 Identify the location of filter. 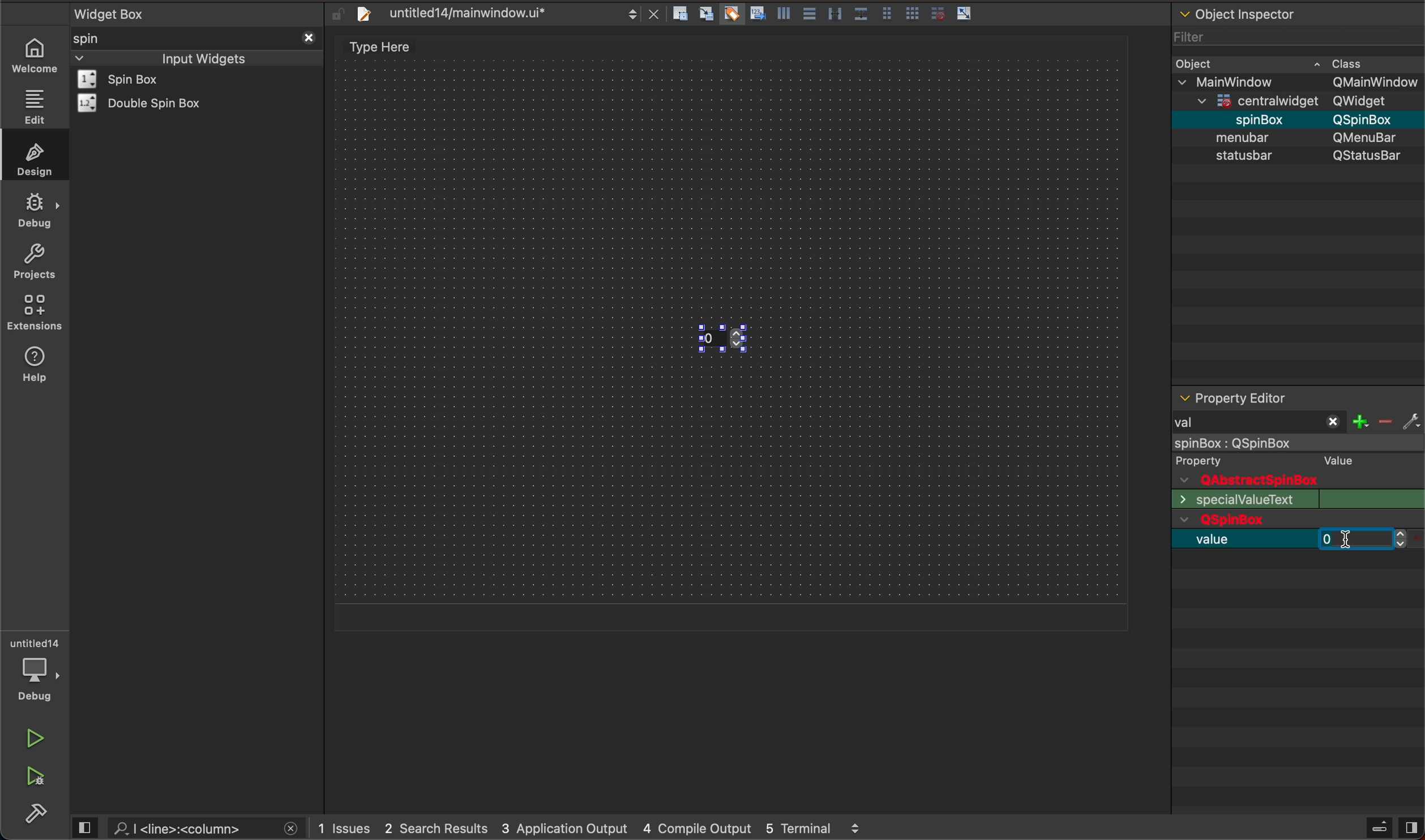
(1192, 33).